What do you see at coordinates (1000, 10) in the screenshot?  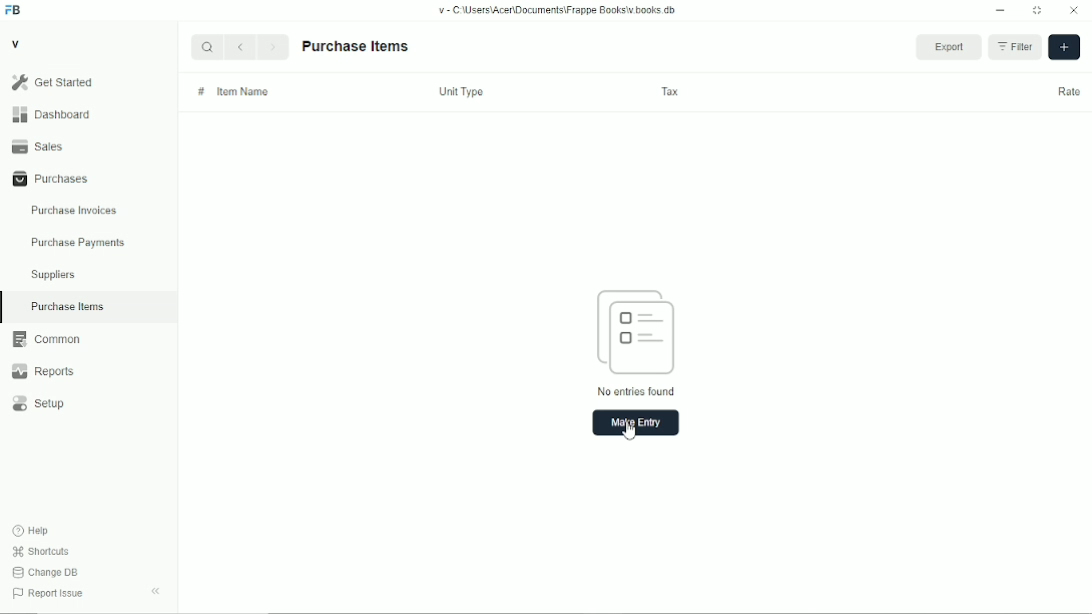 I see `Minimize` at bounding box center [1000, 10].